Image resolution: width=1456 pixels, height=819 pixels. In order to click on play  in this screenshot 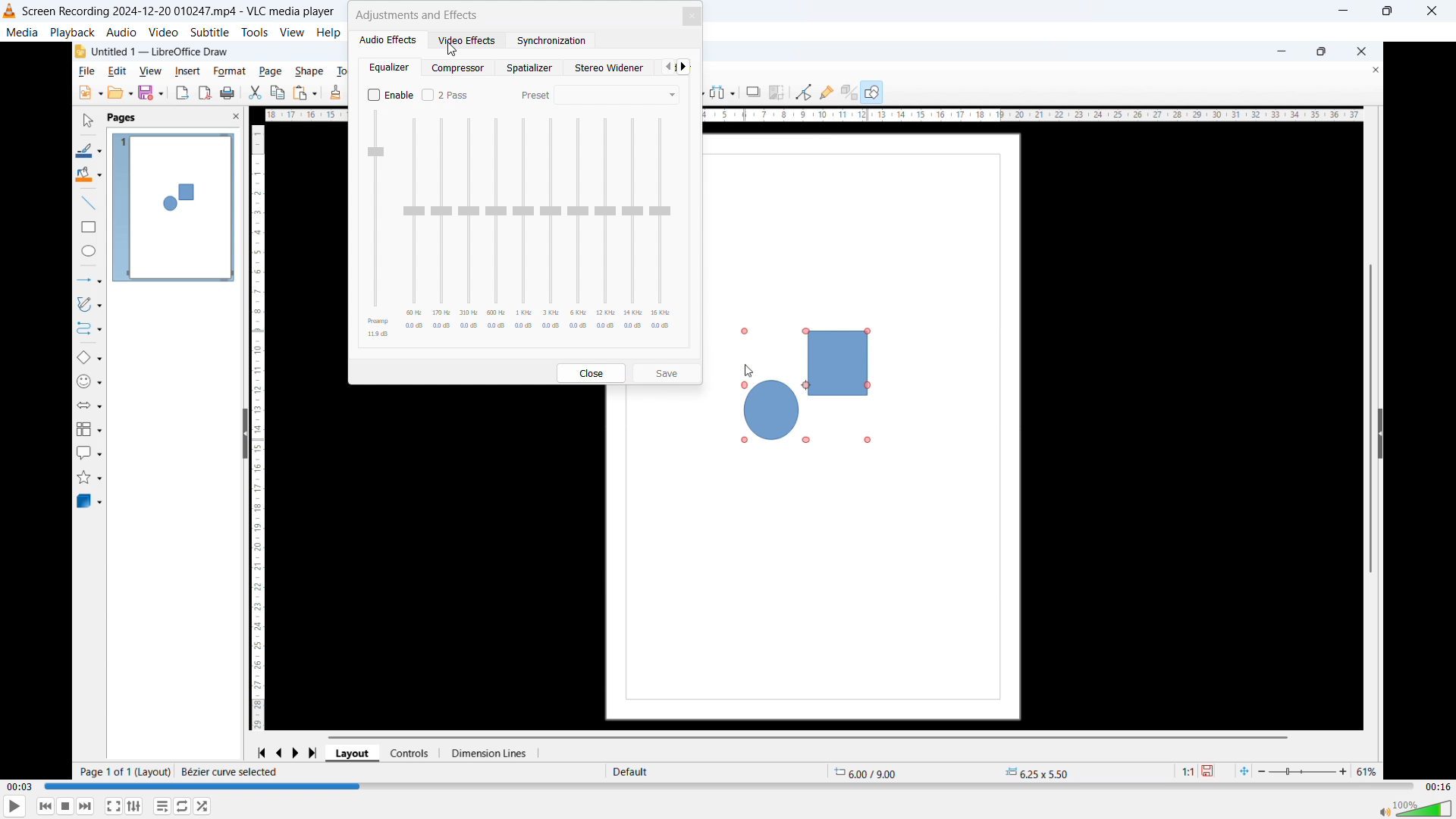, I will do `click(15, 806)`.